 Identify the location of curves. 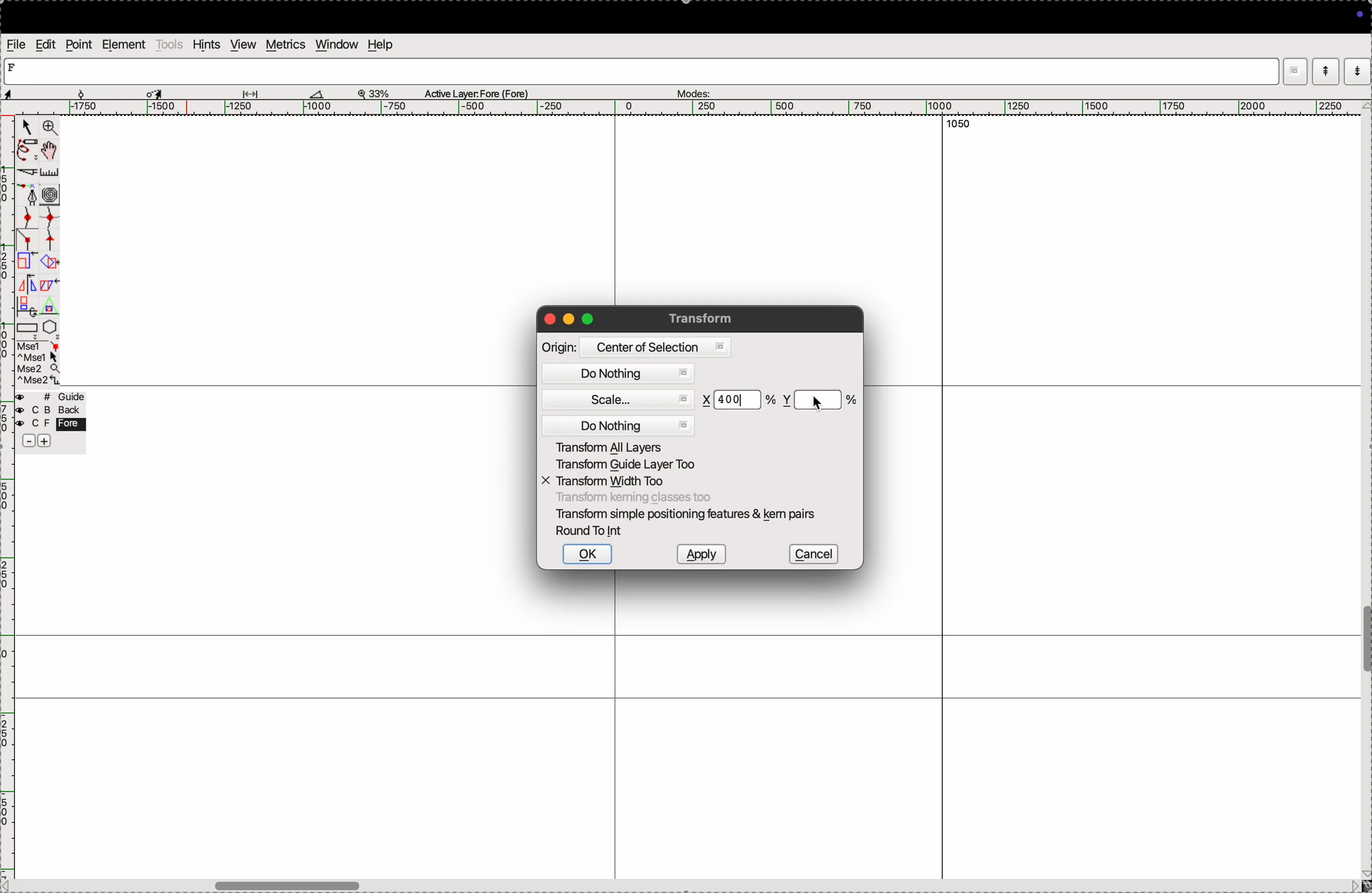
(51, 196).